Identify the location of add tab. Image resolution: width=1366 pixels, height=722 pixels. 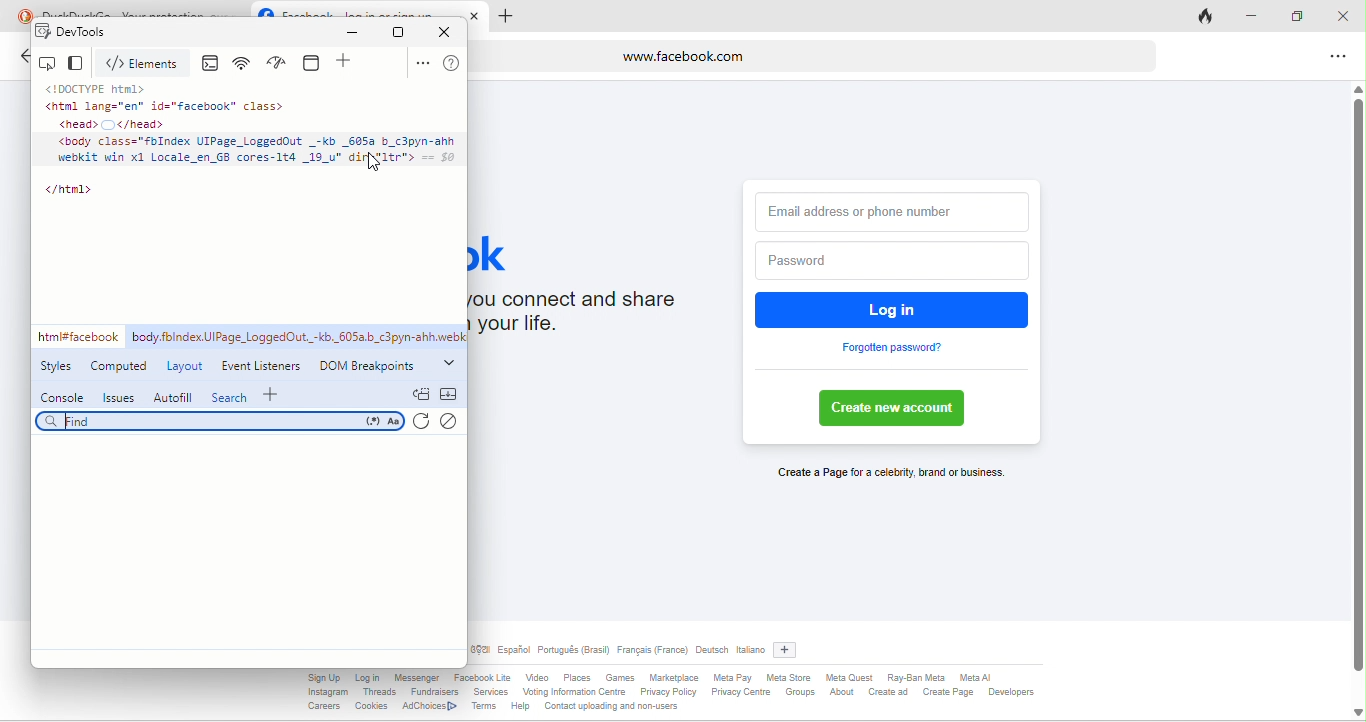
(505, 17).